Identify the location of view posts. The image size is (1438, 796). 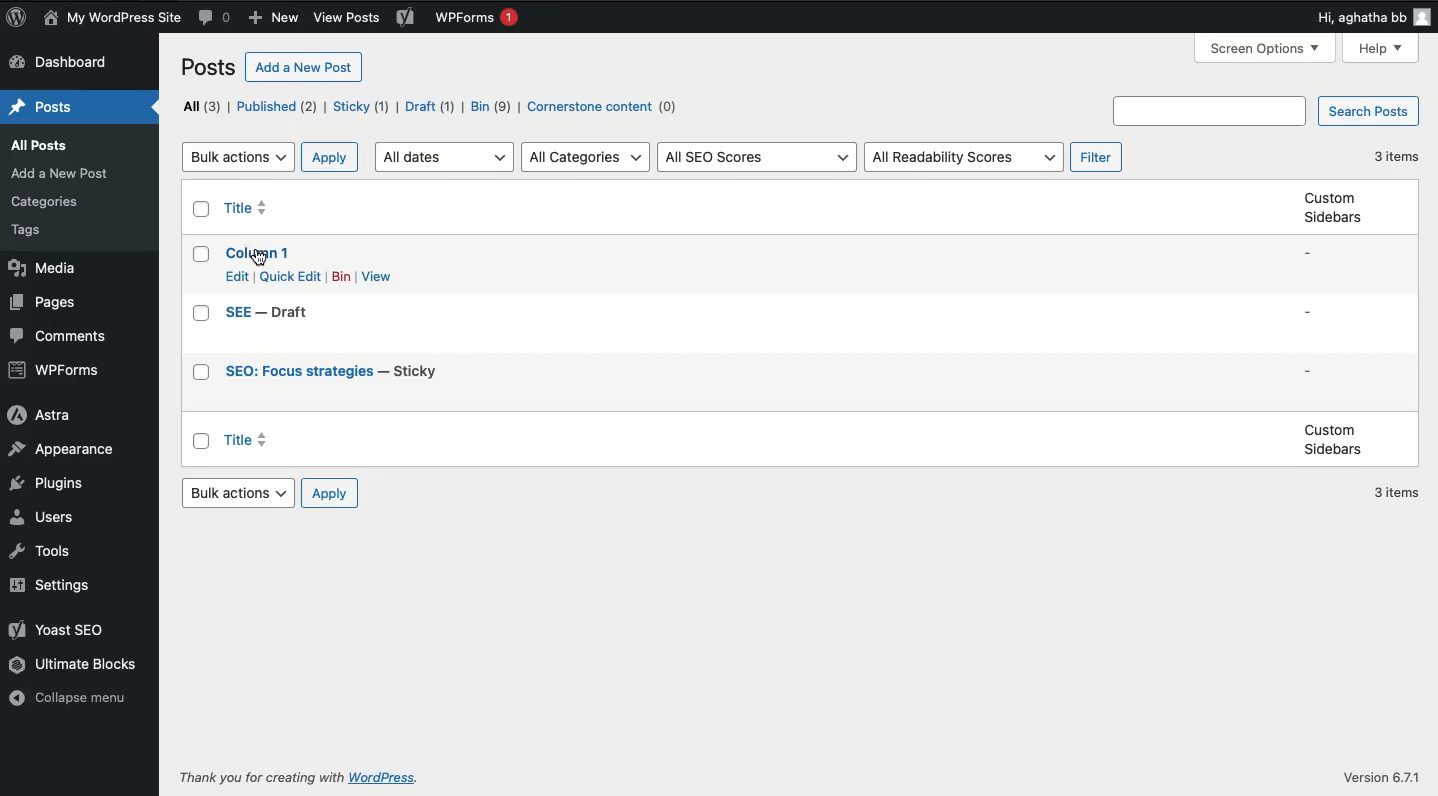
(363, 17).